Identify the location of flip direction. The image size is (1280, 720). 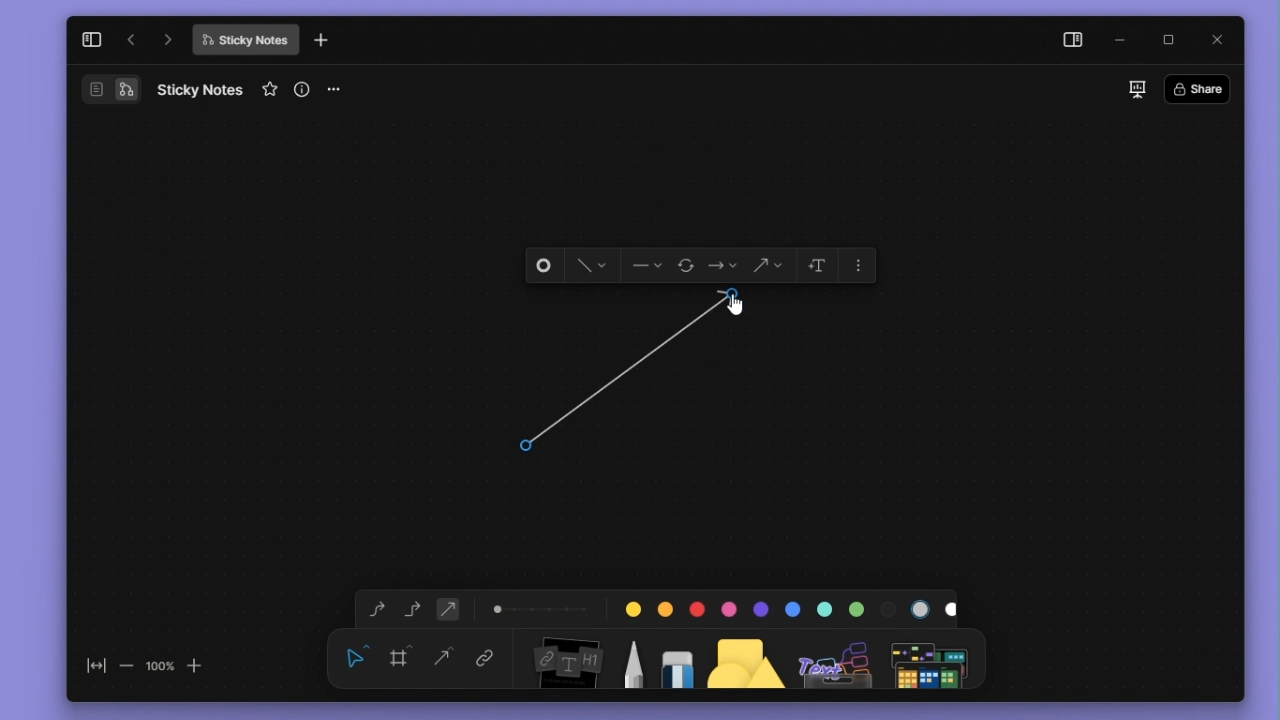
(688, 267).